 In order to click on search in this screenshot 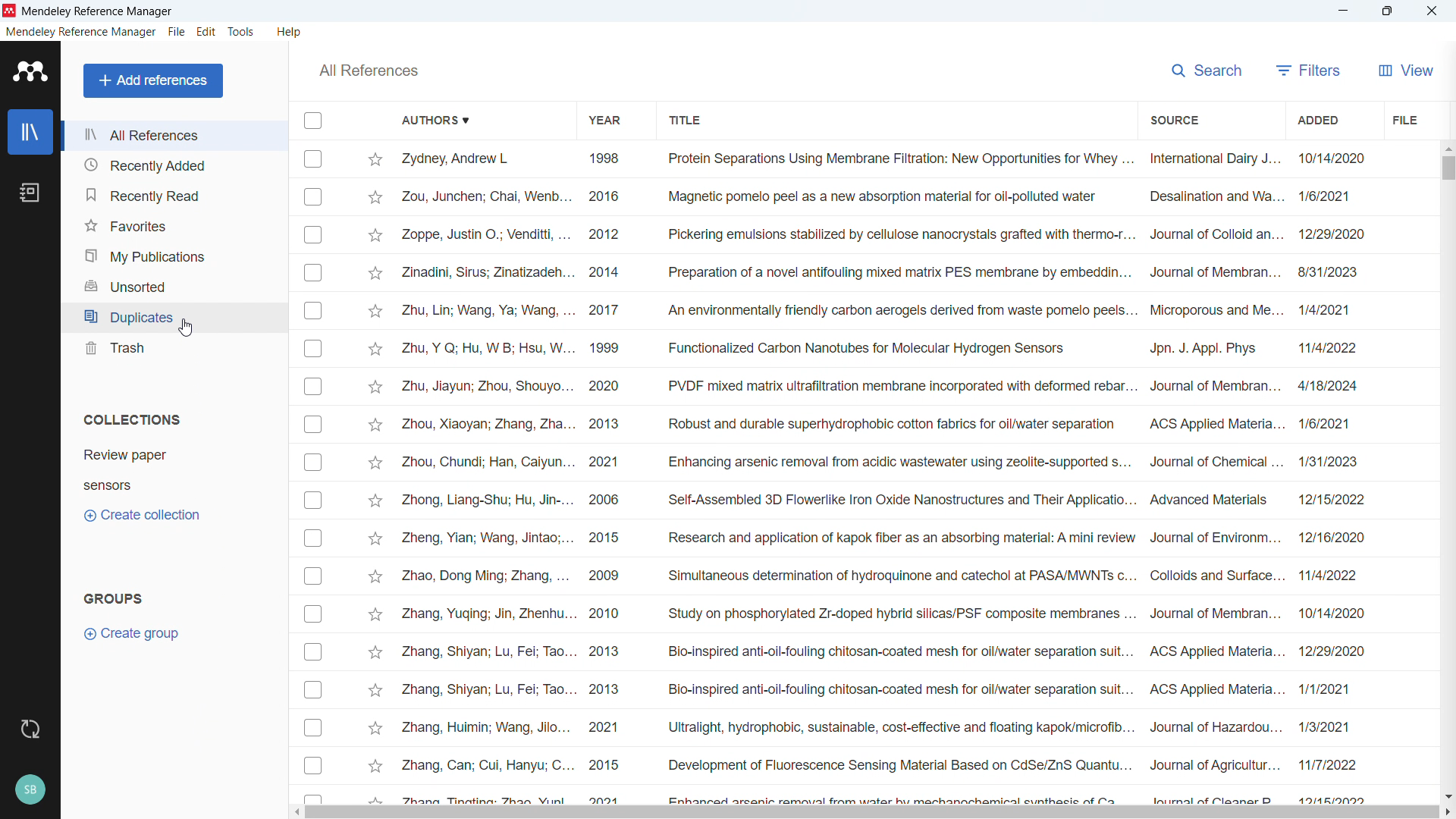, I will do `click(1207, 71)`.